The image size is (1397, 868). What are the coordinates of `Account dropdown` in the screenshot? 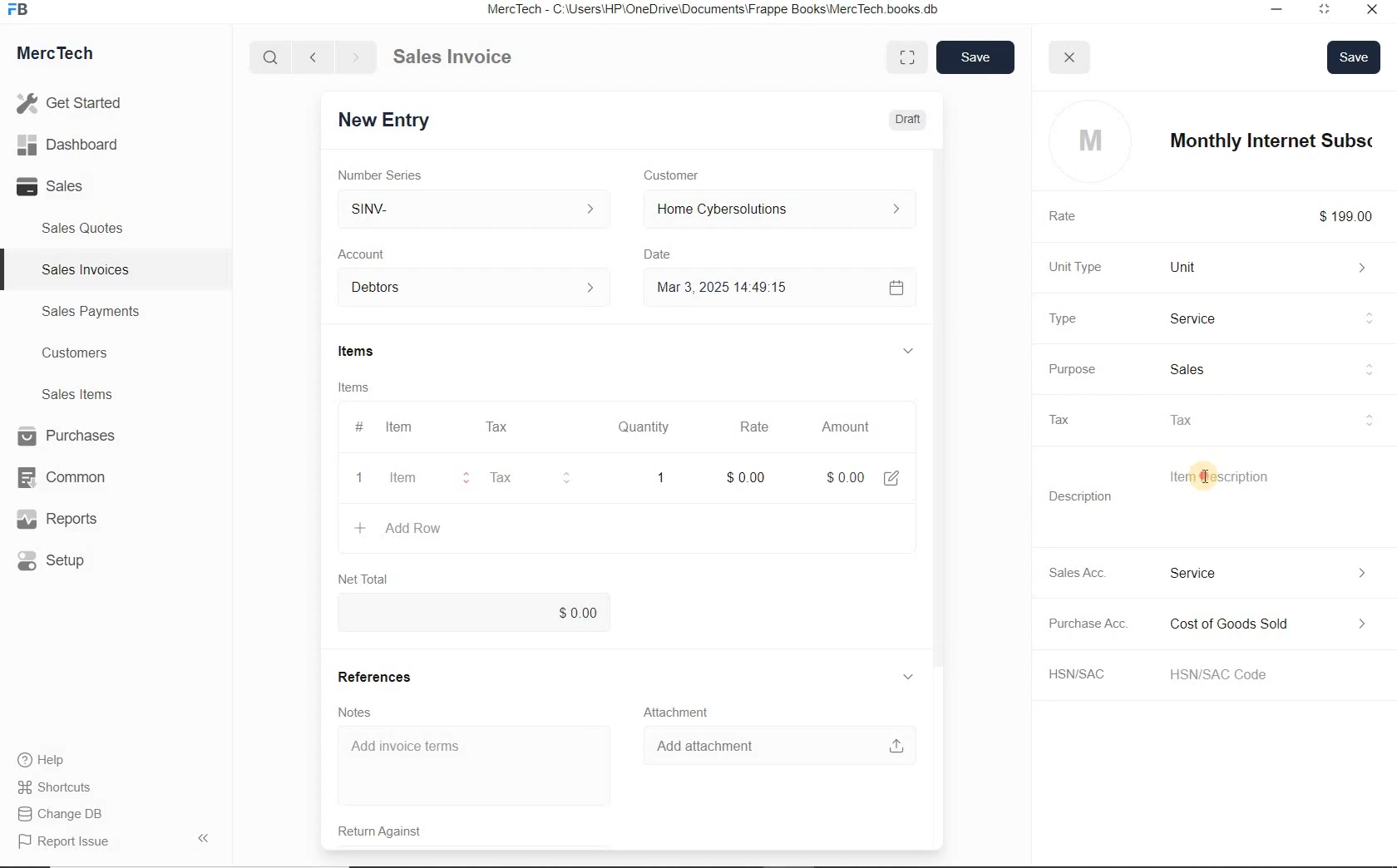 It's located at (474, 289).